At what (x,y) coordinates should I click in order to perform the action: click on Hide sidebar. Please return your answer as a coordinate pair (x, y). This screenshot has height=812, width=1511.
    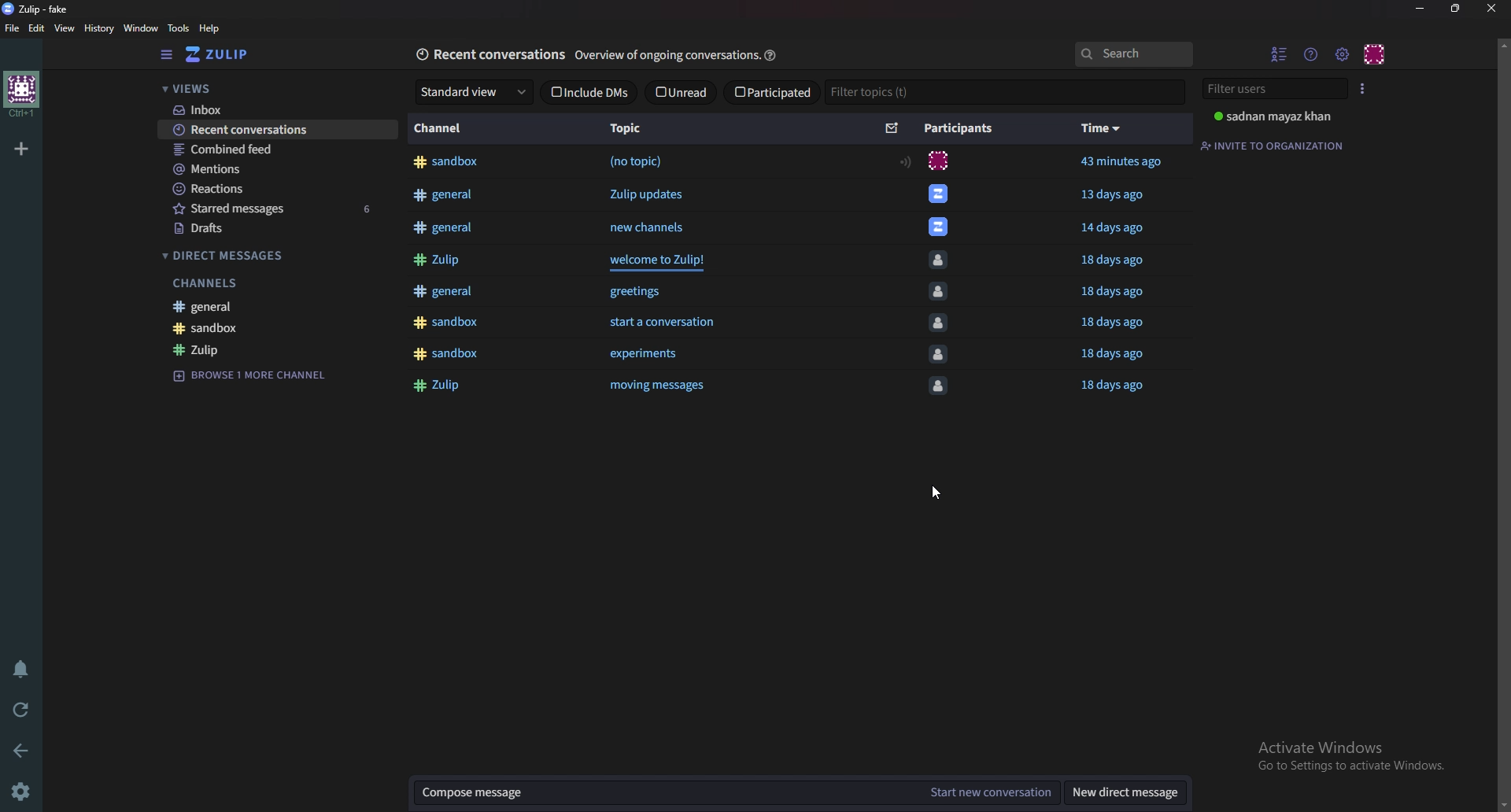
    Looking at the image, I should click on (167, 56).